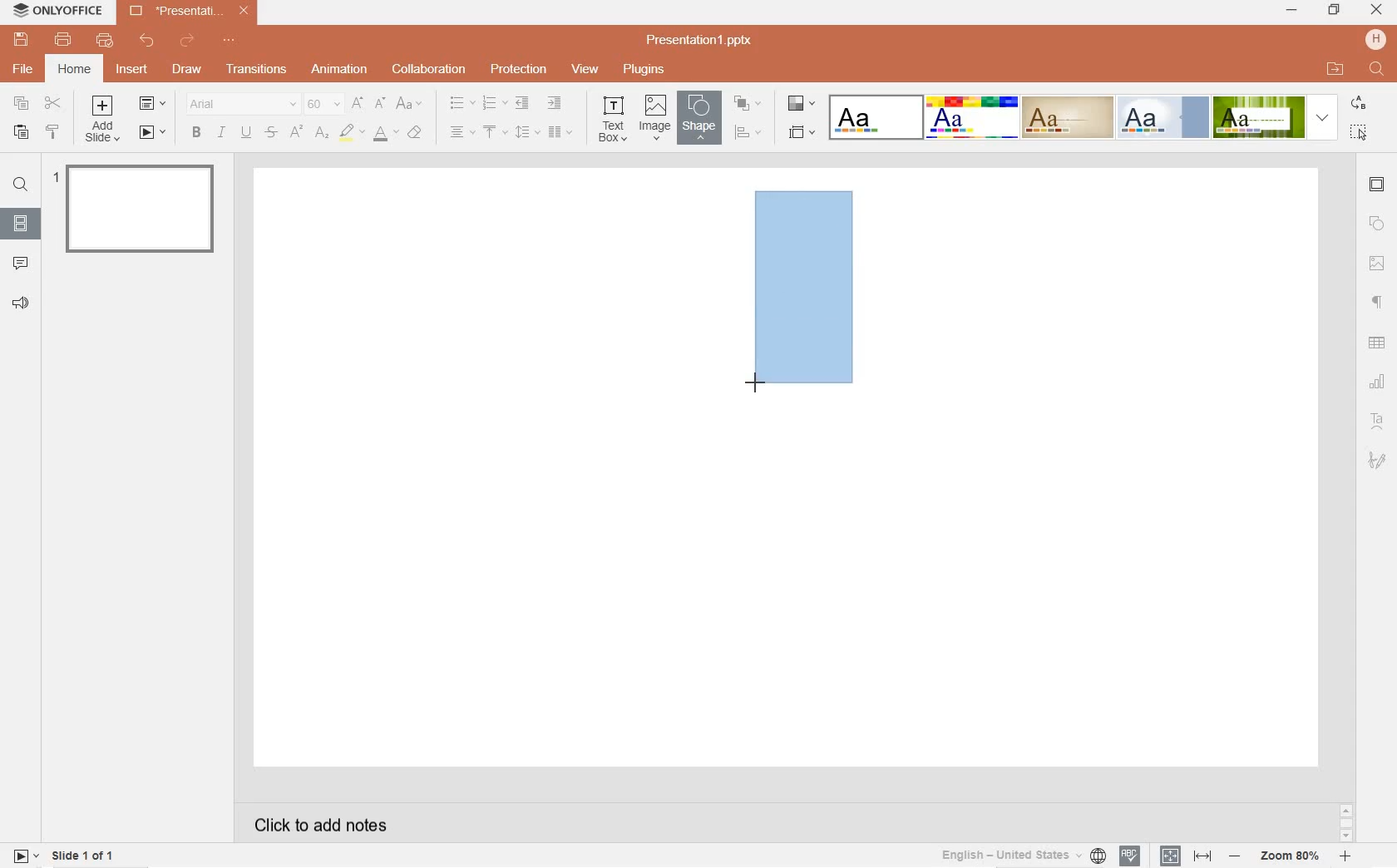 Image resolution: width=1397 pixels, height=868 pixels. I want to click on OPEN FILE LOCATION, so click(1336, 69).